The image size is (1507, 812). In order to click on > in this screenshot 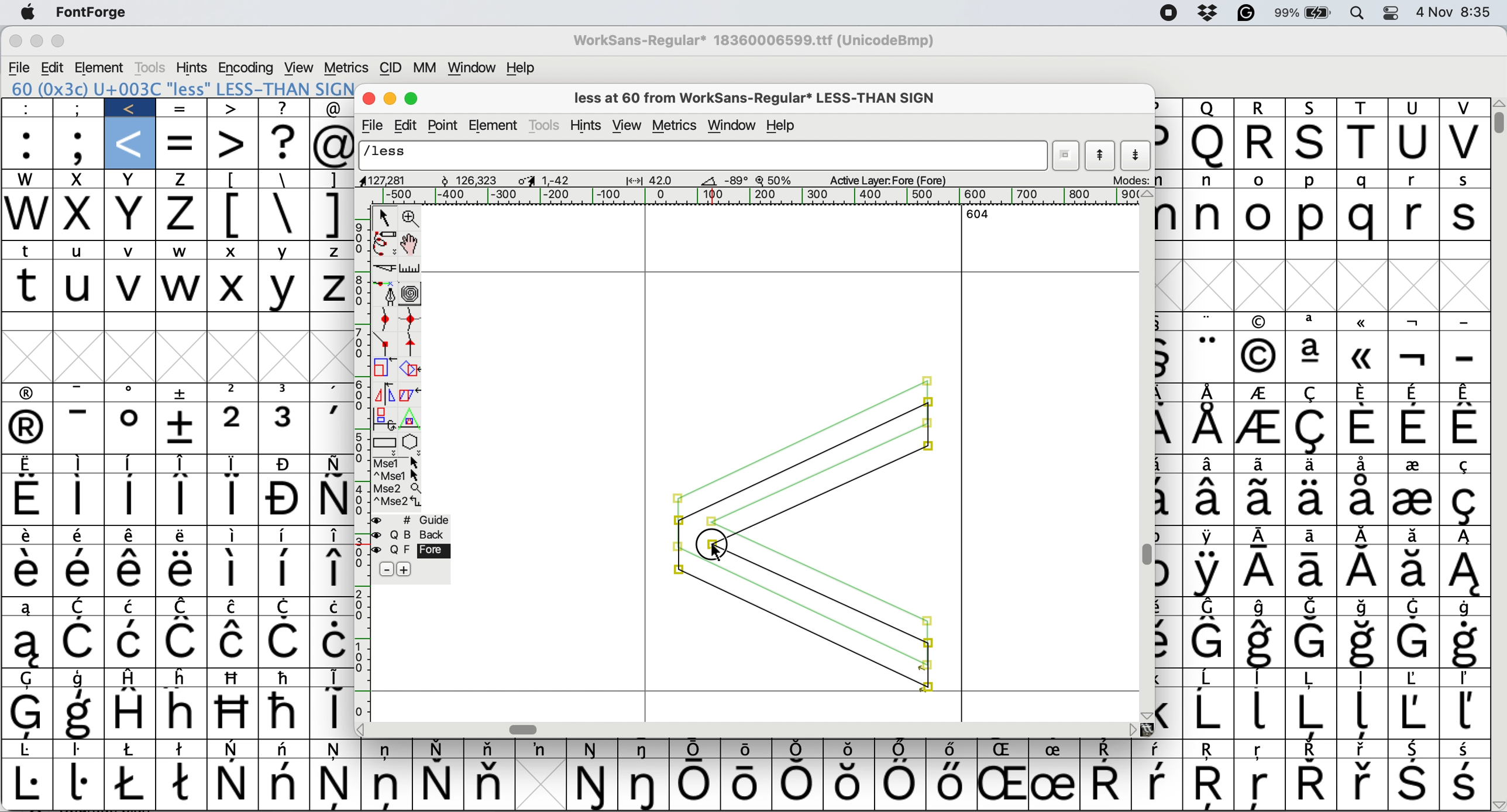, I will do `click(232, 109)`.